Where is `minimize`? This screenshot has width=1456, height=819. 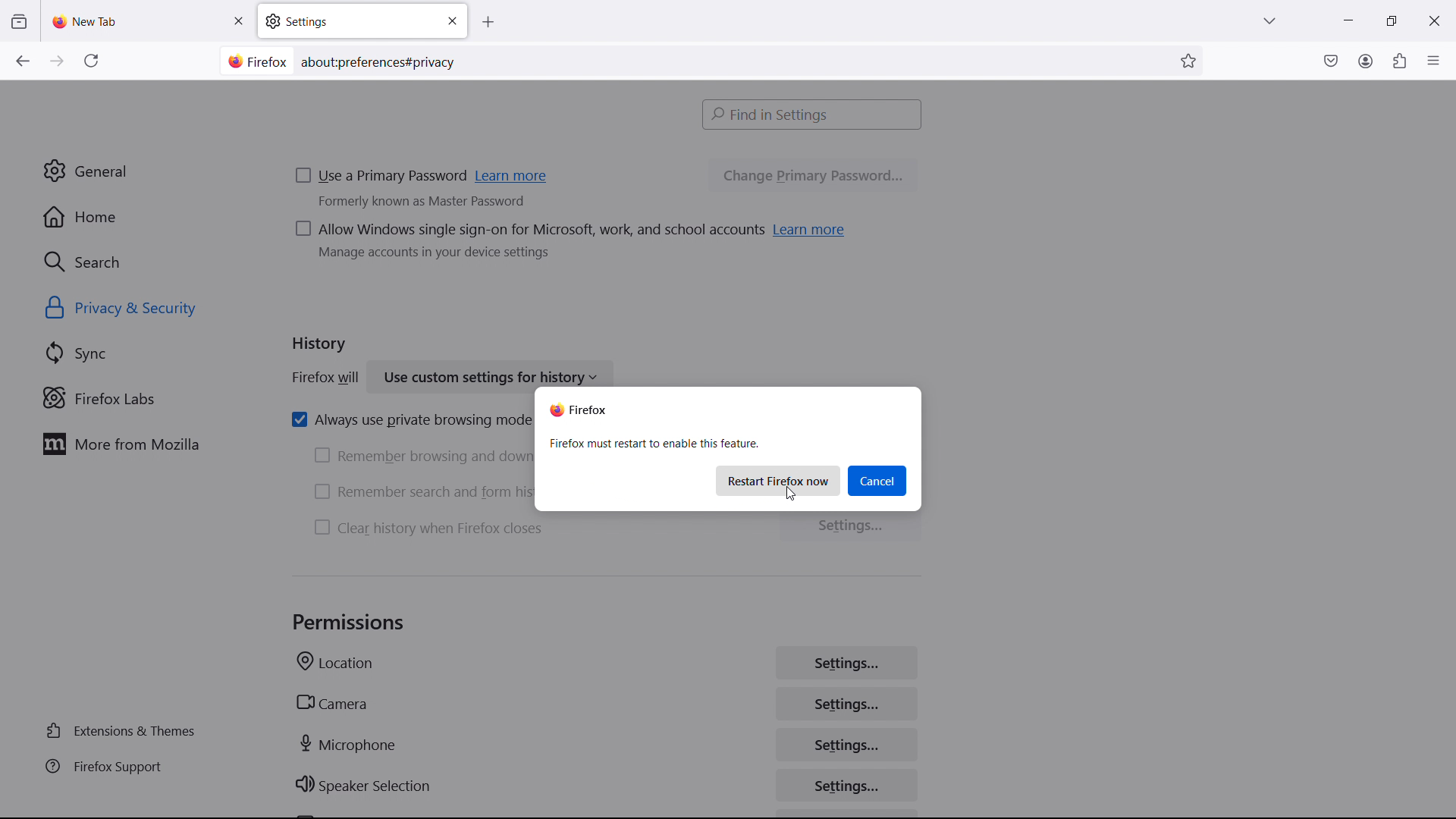
minimize is located at coordinates (1347, 19).